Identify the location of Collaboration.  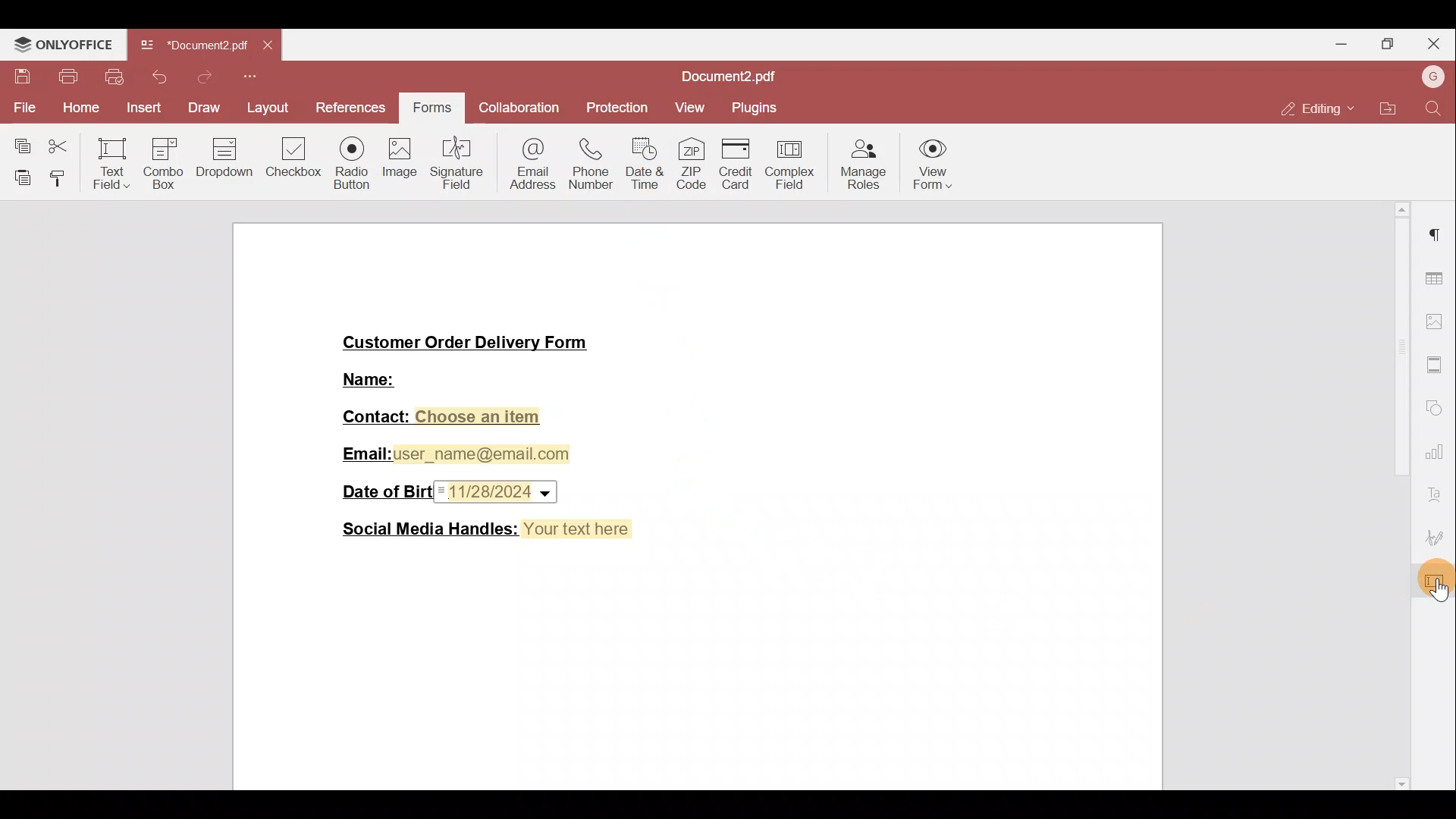
(516, 109).